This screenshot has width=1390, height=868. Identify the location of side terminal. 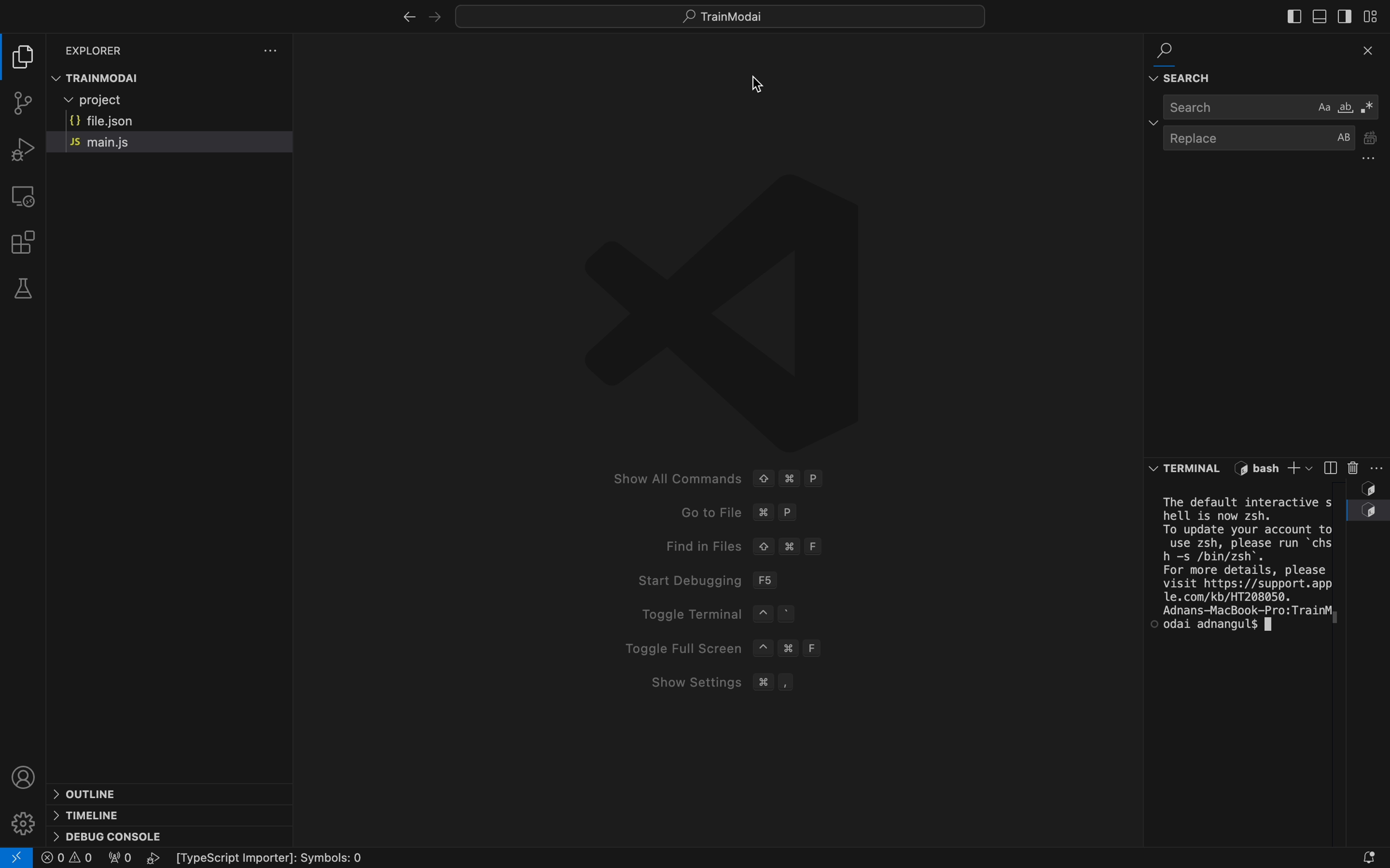
(1330, 467).